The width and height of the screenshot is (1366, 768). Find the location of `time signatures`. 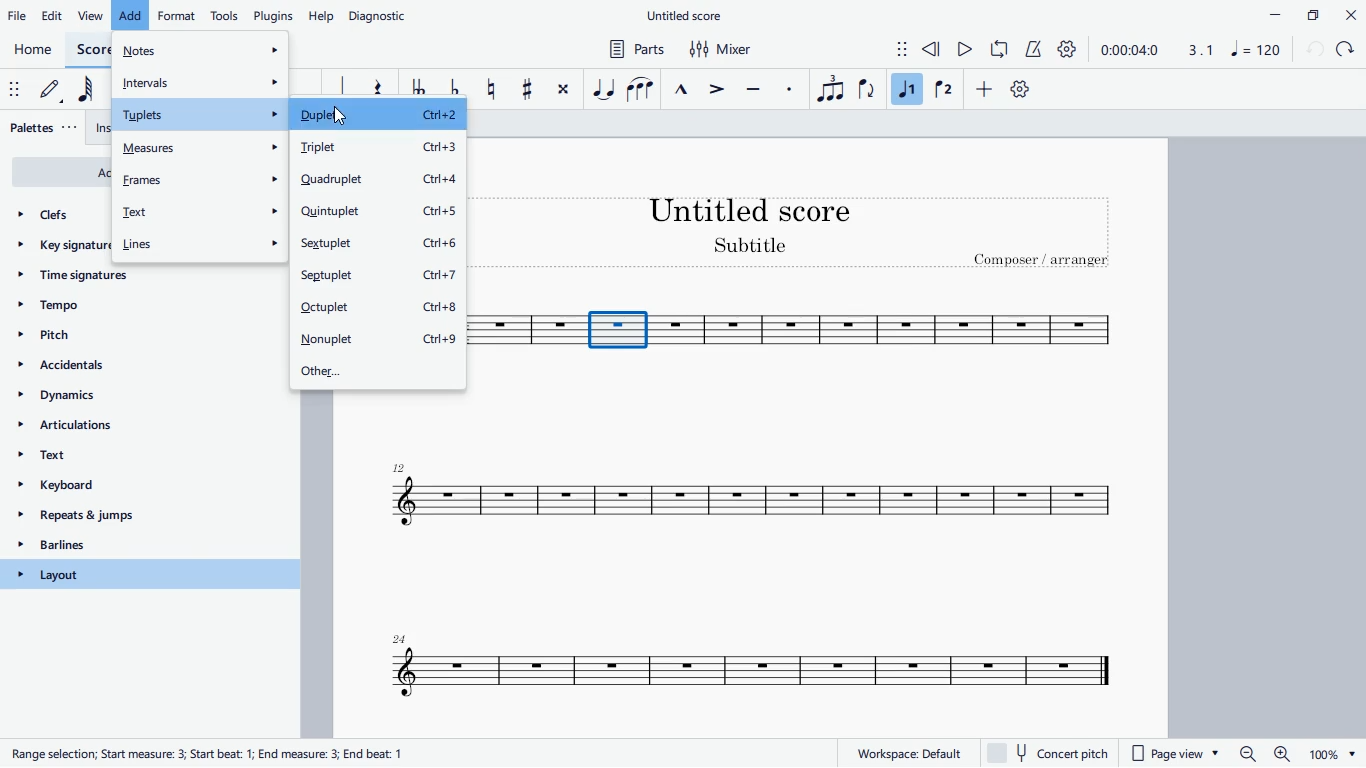

time signatures is located at coordinates (123, 281).